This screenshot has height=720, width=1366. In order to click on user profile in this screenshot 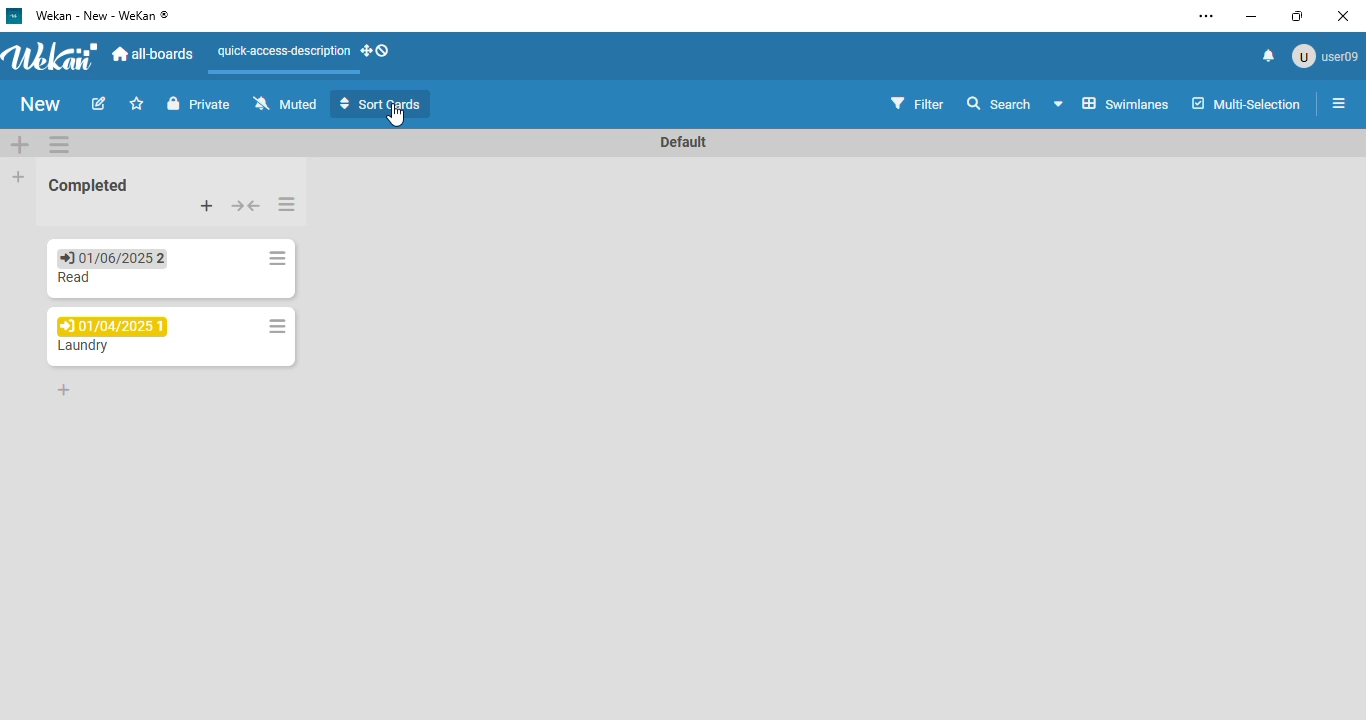, I will do `click(1324, 56)`.